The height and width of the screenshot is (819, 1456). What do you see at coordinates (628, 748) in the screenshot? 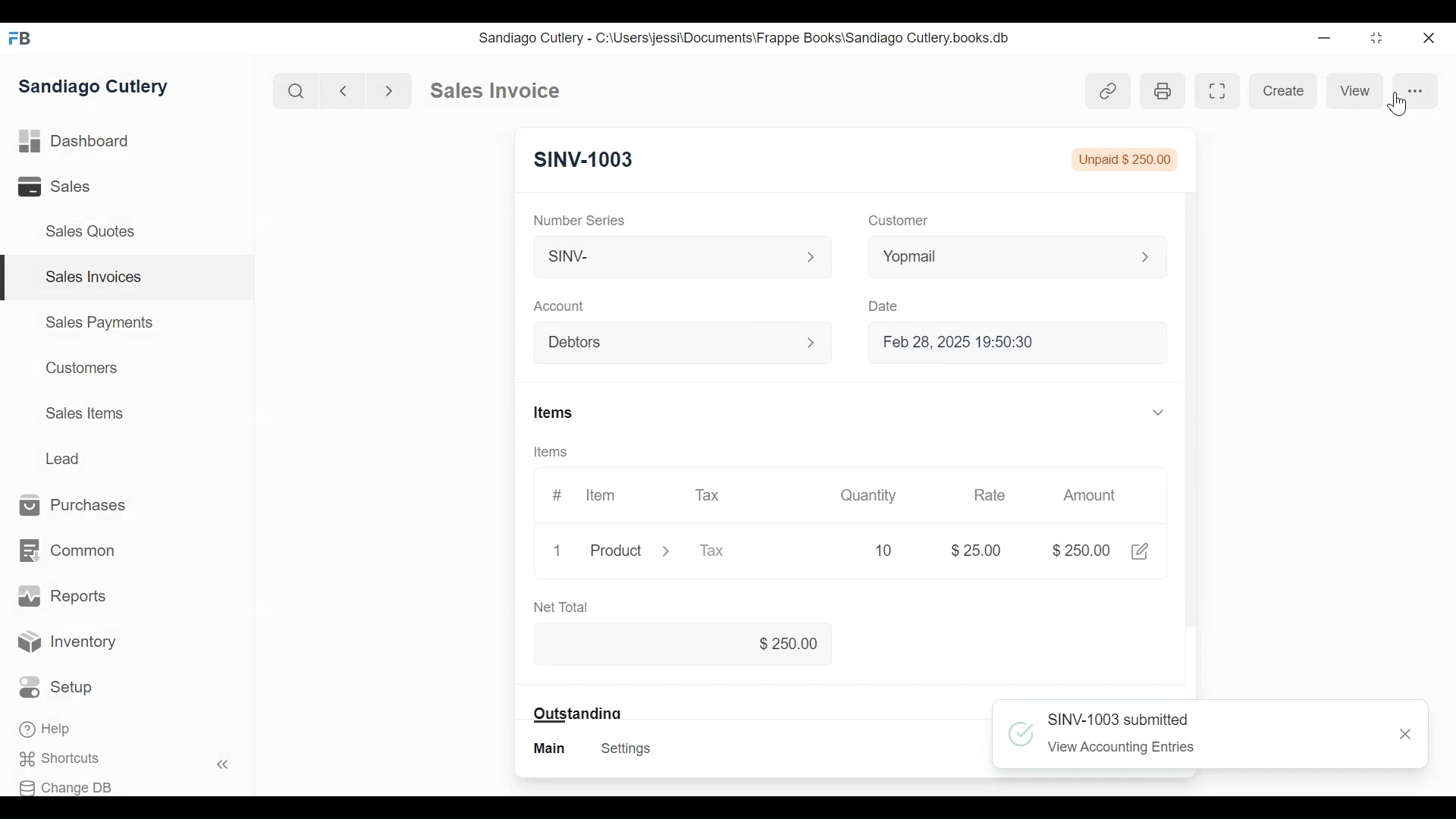
I see `Settings` at bounding box center [628, 748].